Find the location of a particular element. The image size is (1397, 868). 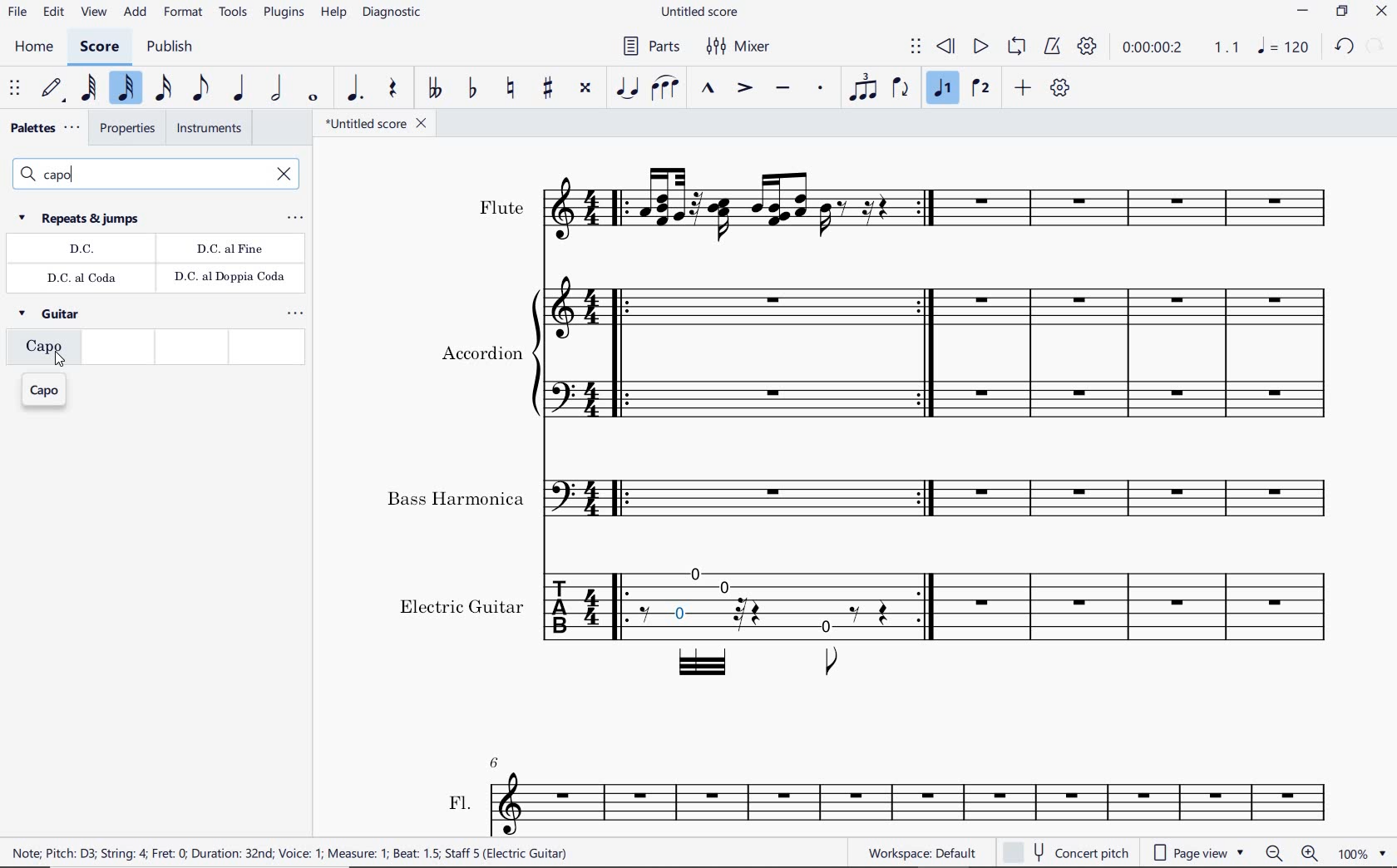

marcato is located at coordinates (710, 90).